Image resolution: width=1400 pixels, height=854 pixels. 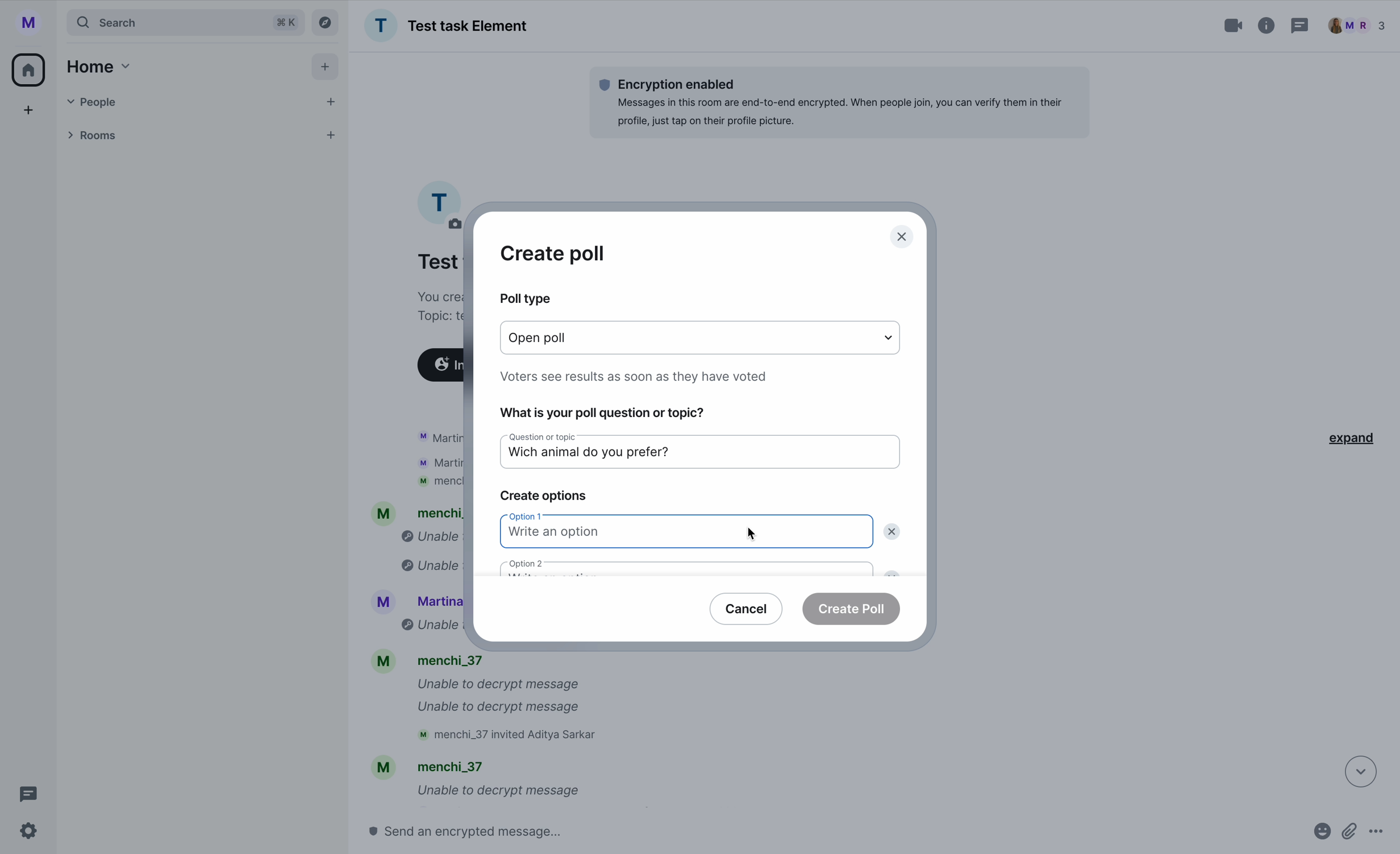 What do you see at coordinates (439, 202) in the screenshot?
I see `profile picture` at bounding box center [439, 202].